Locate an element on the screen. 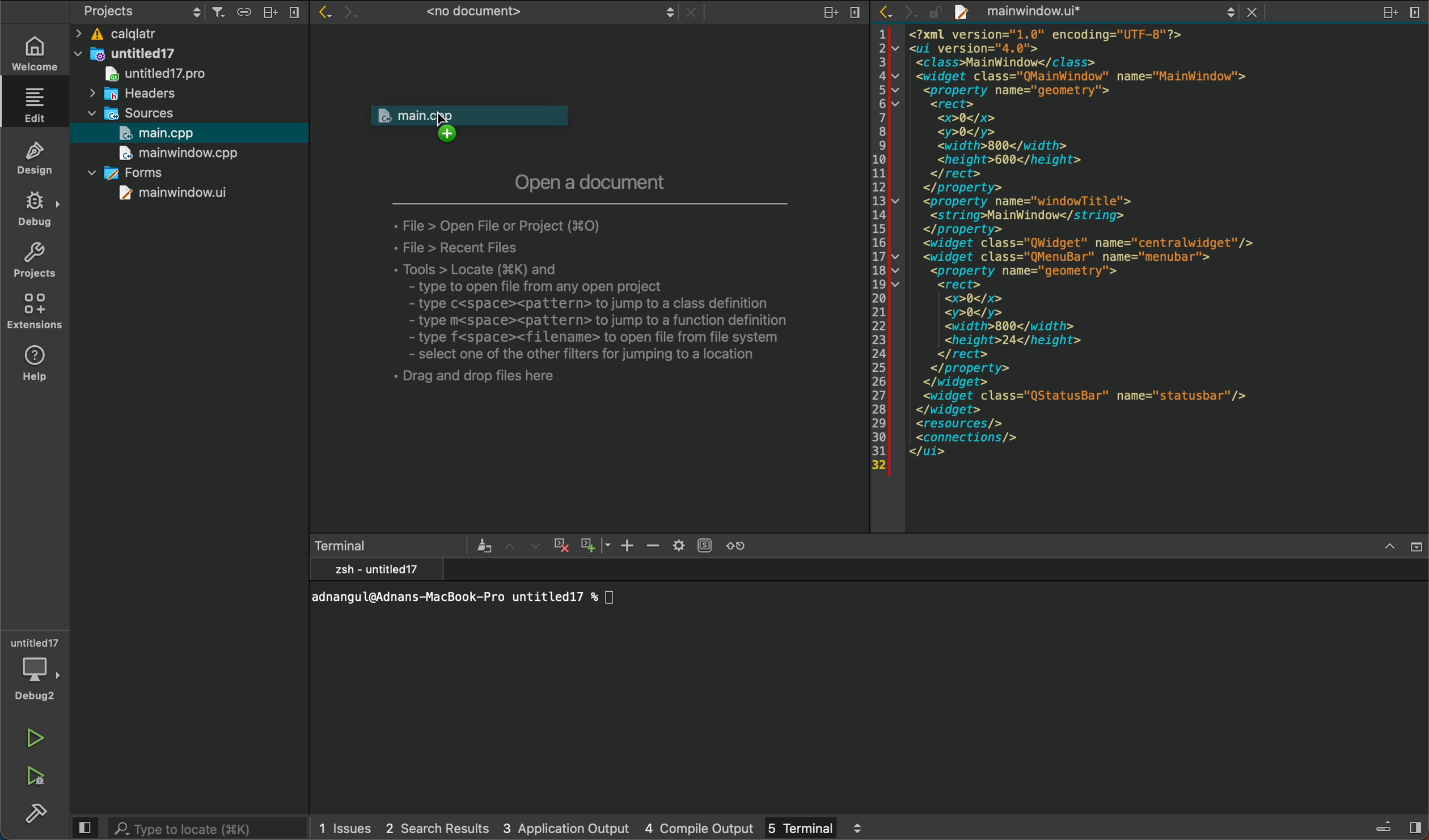 This screenshot has height=840, width=1429. split is located at coordinates (832, 14).